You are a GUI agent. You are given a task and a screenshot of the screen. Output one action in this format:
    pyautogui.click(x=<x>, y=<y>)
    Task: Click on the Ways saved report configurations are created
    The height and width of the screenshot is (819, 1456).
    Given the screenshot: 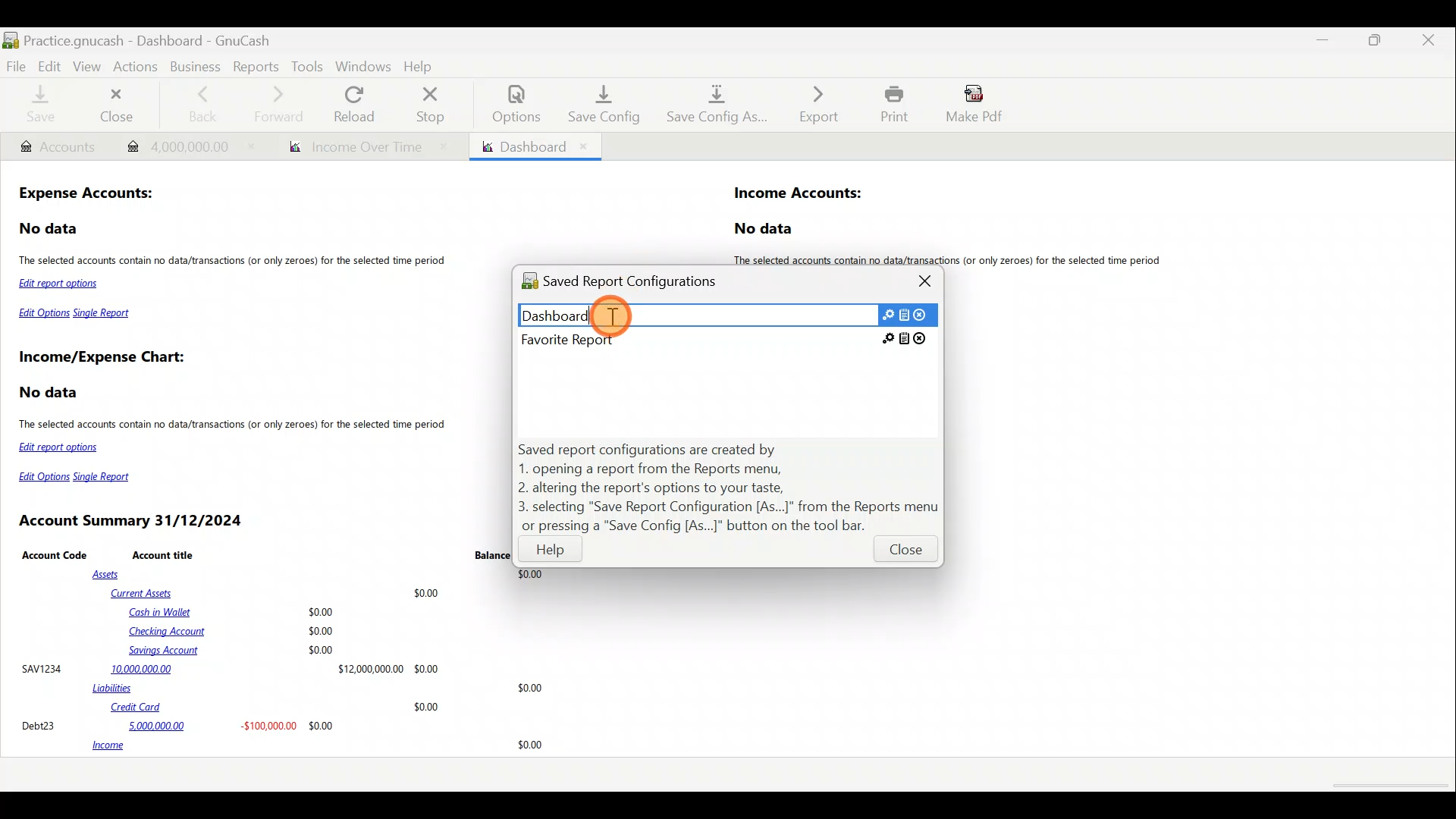 What is the action you would take?
    pyautogui.click(x=730, y=488)
    